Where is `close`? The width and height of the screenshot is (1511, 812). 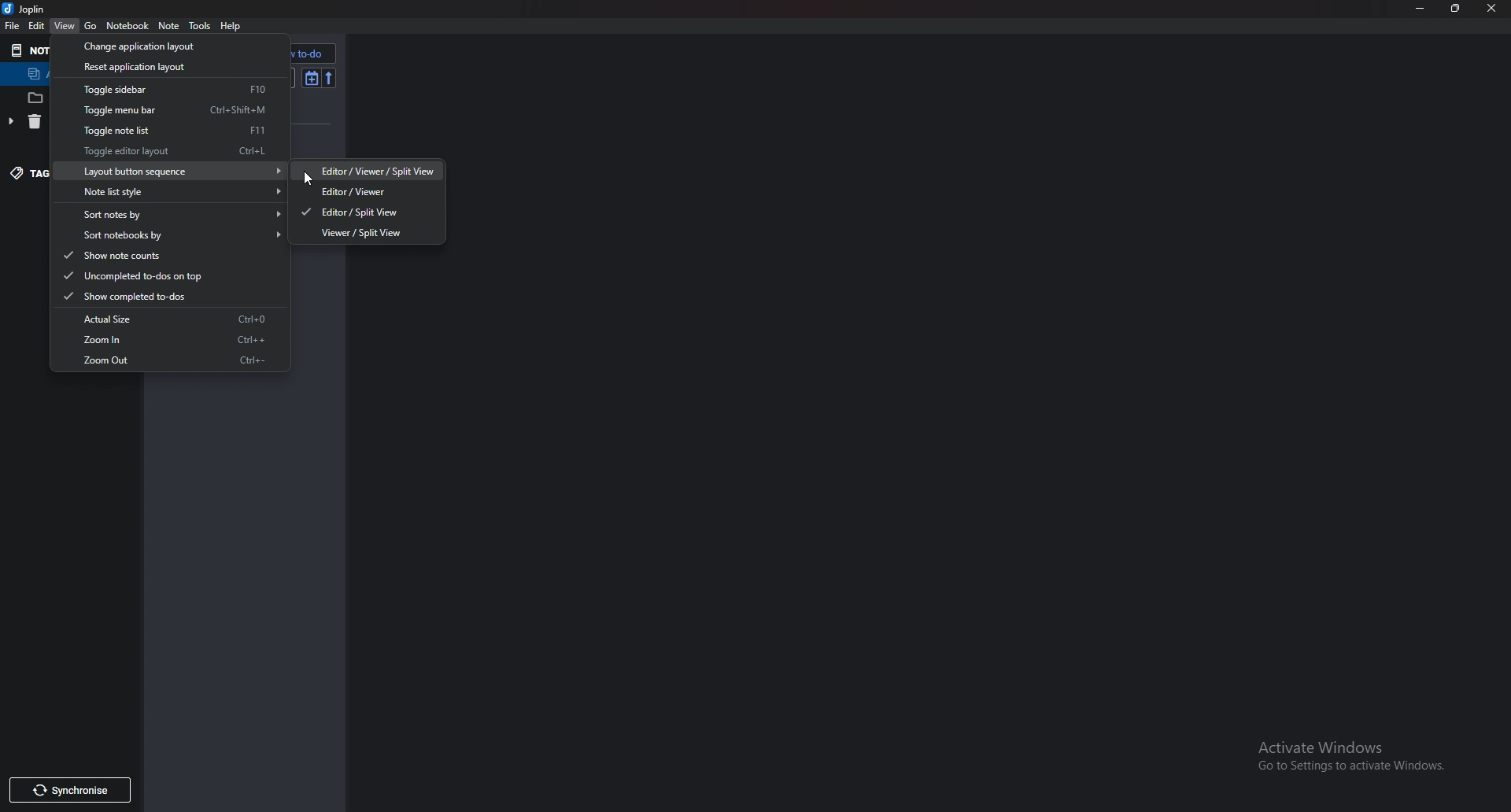 close is located at coordinates (1492, 10).